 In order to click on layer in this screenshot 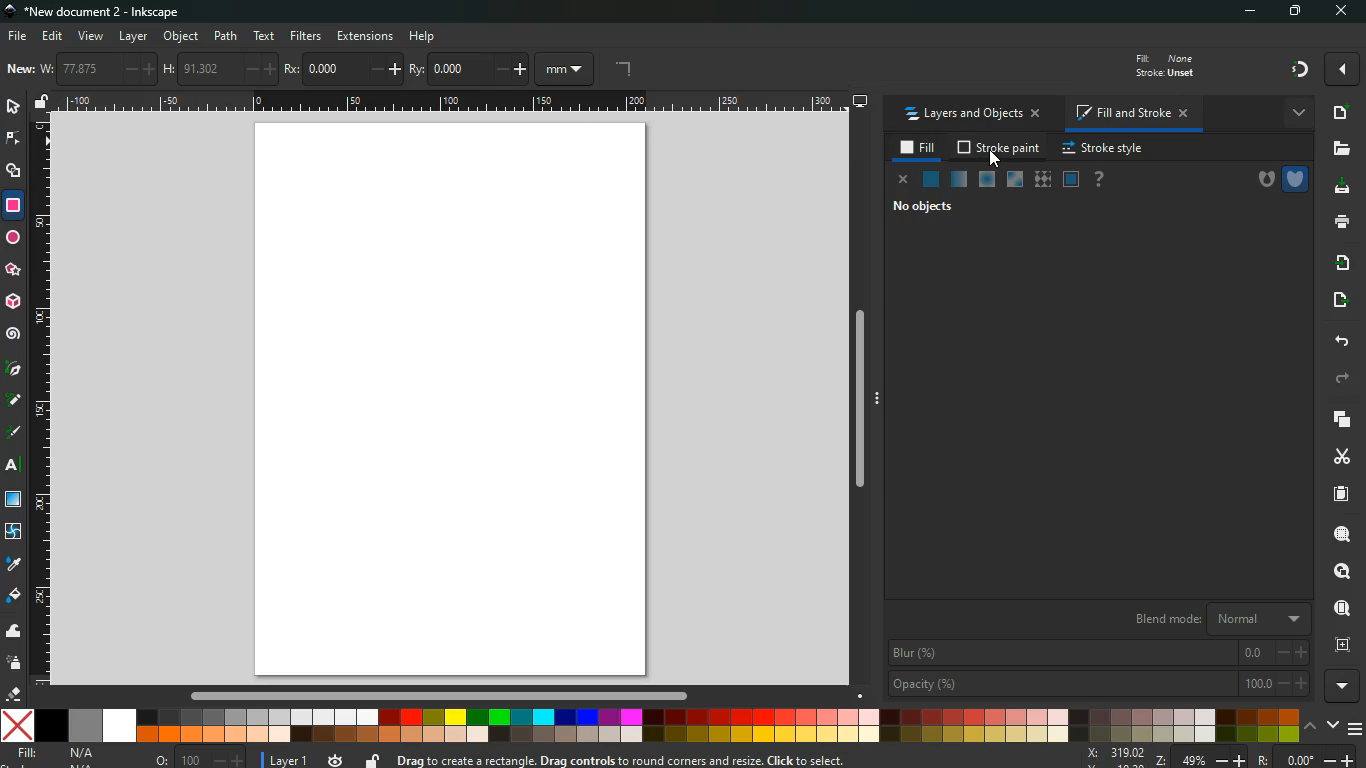, I will do `click(137, 36)`.